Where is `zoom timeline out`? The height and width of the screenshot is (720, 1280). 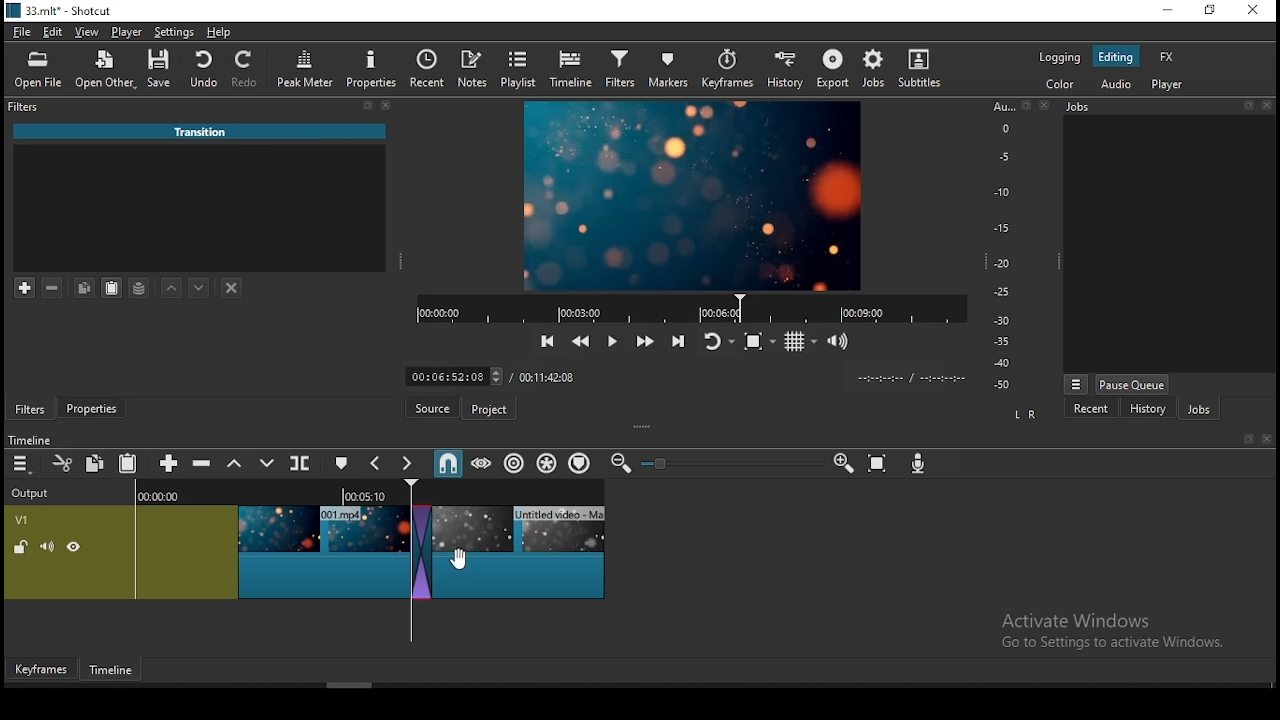
zoom timeline out is located at coordinates (623, 464).